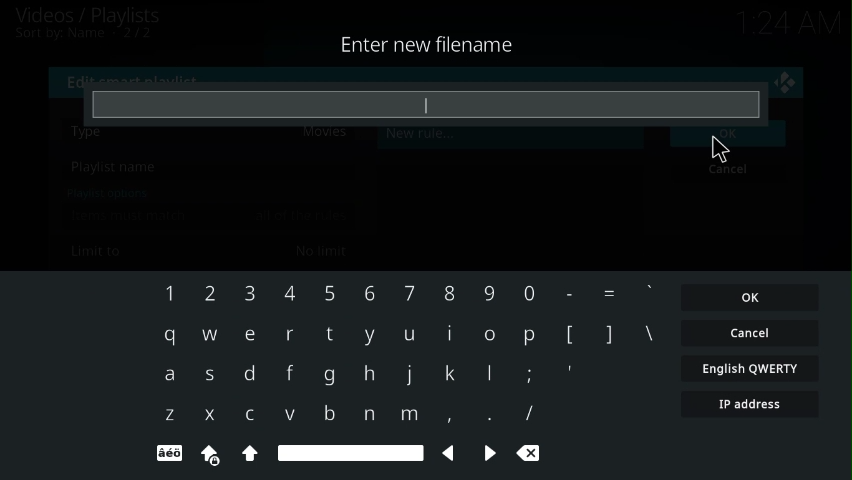 Image resolution: width=852 pixels, height=480 pixels. Describe the element at coordinates (721, 147) in the screenshot. I see `cursor` at that location.